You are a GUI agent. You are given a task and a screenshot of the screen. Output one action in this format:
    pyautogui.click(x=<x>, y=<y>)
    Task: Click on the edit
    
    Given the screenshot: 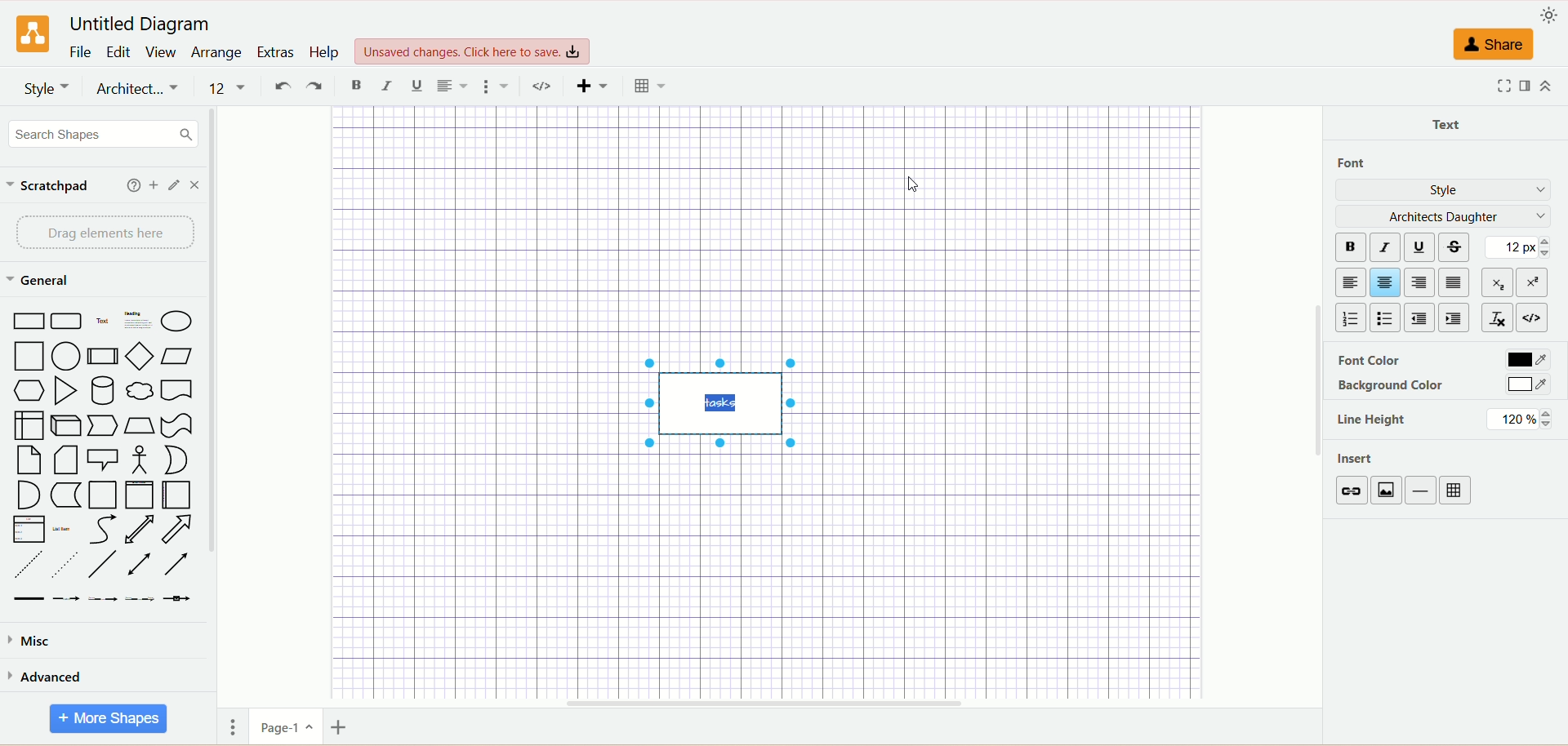 What is the action you would take?
    pyautogui.click(x=118, y=51)
    